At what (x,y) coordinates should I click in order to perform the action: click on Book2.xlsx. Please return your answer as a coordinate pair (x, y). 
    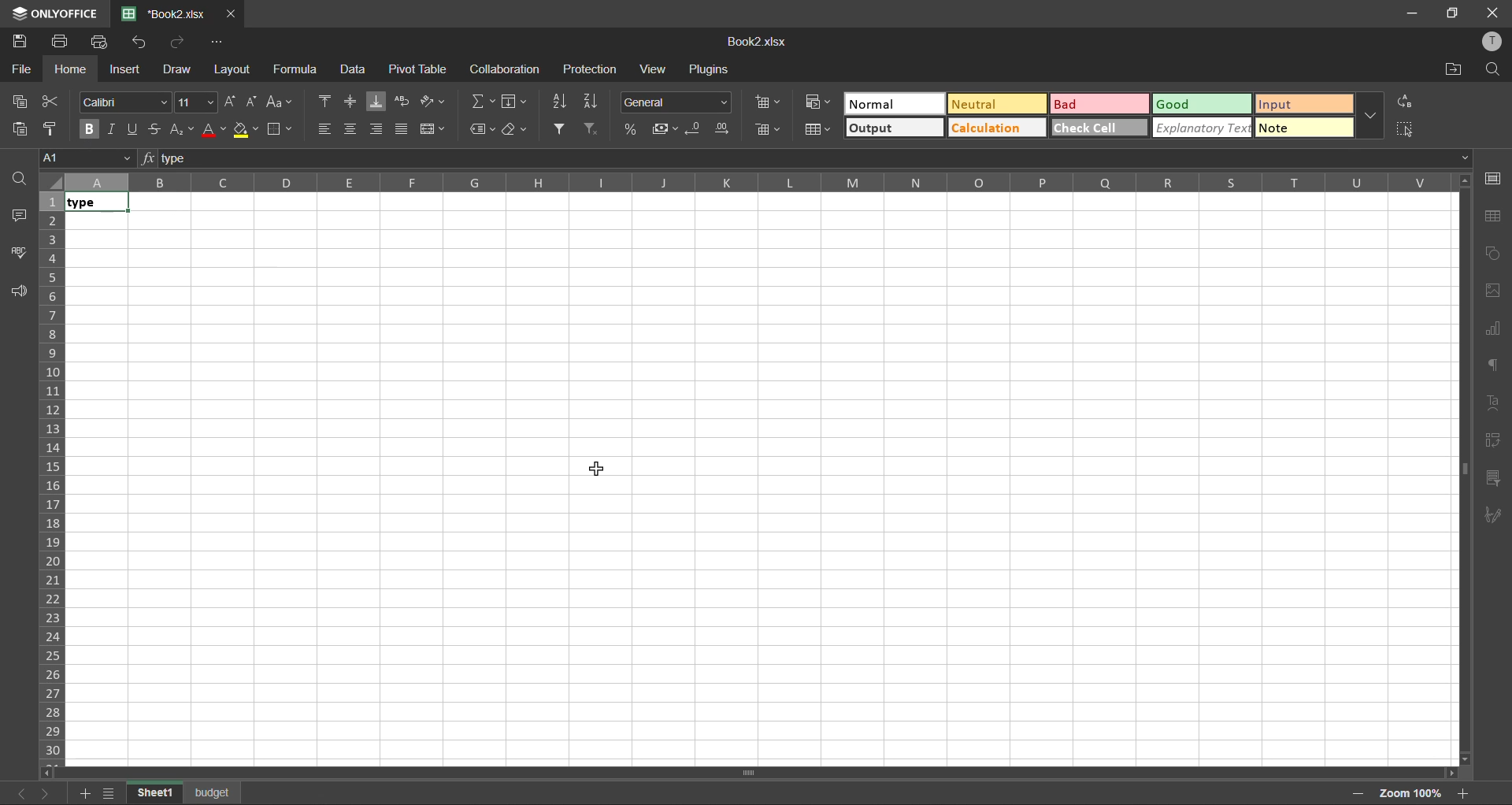
    Looking at the image, I should click on (752, 43).